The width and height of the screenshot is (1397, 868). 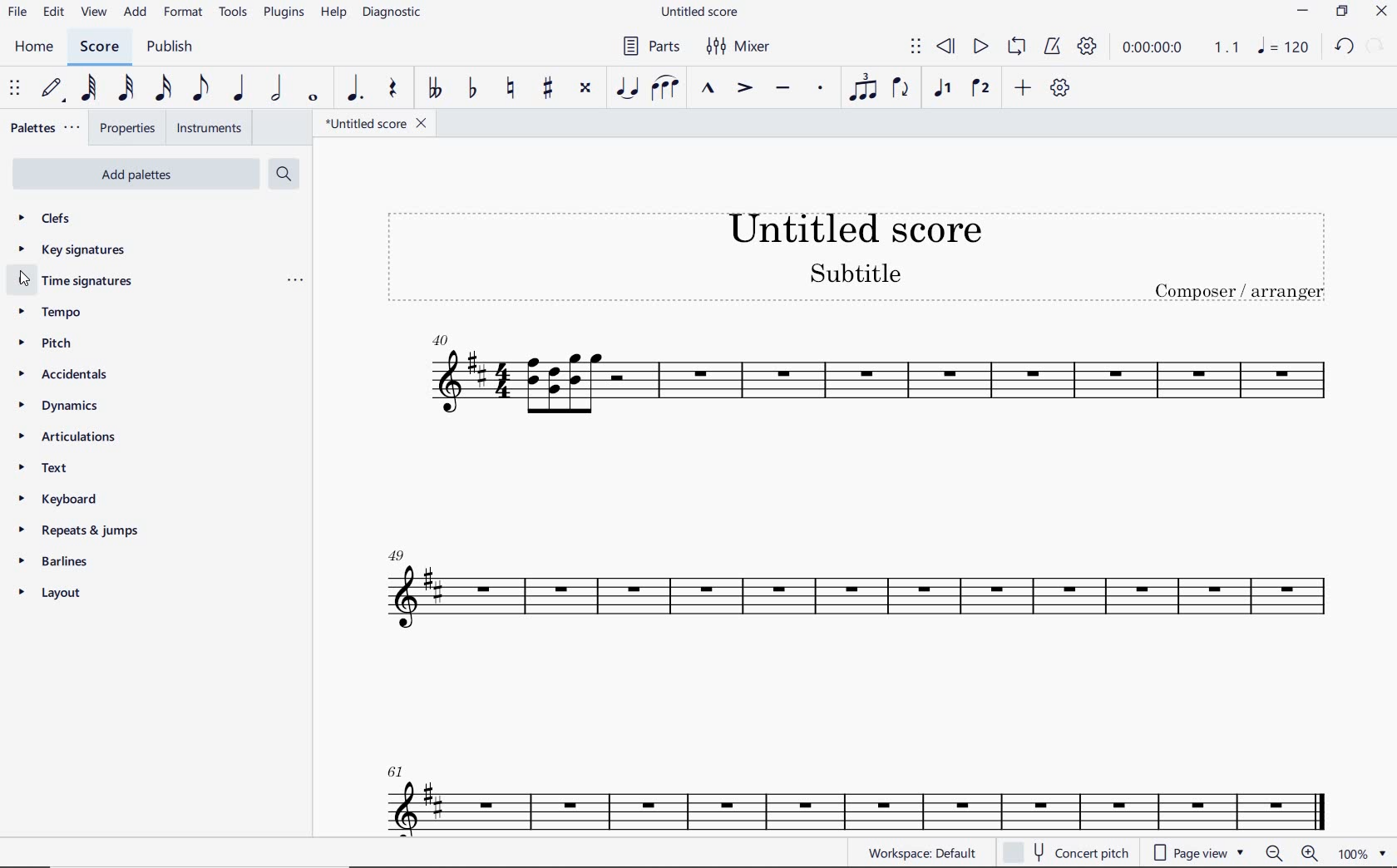 I want to click on TUPLET, so click(x=861, y=89).